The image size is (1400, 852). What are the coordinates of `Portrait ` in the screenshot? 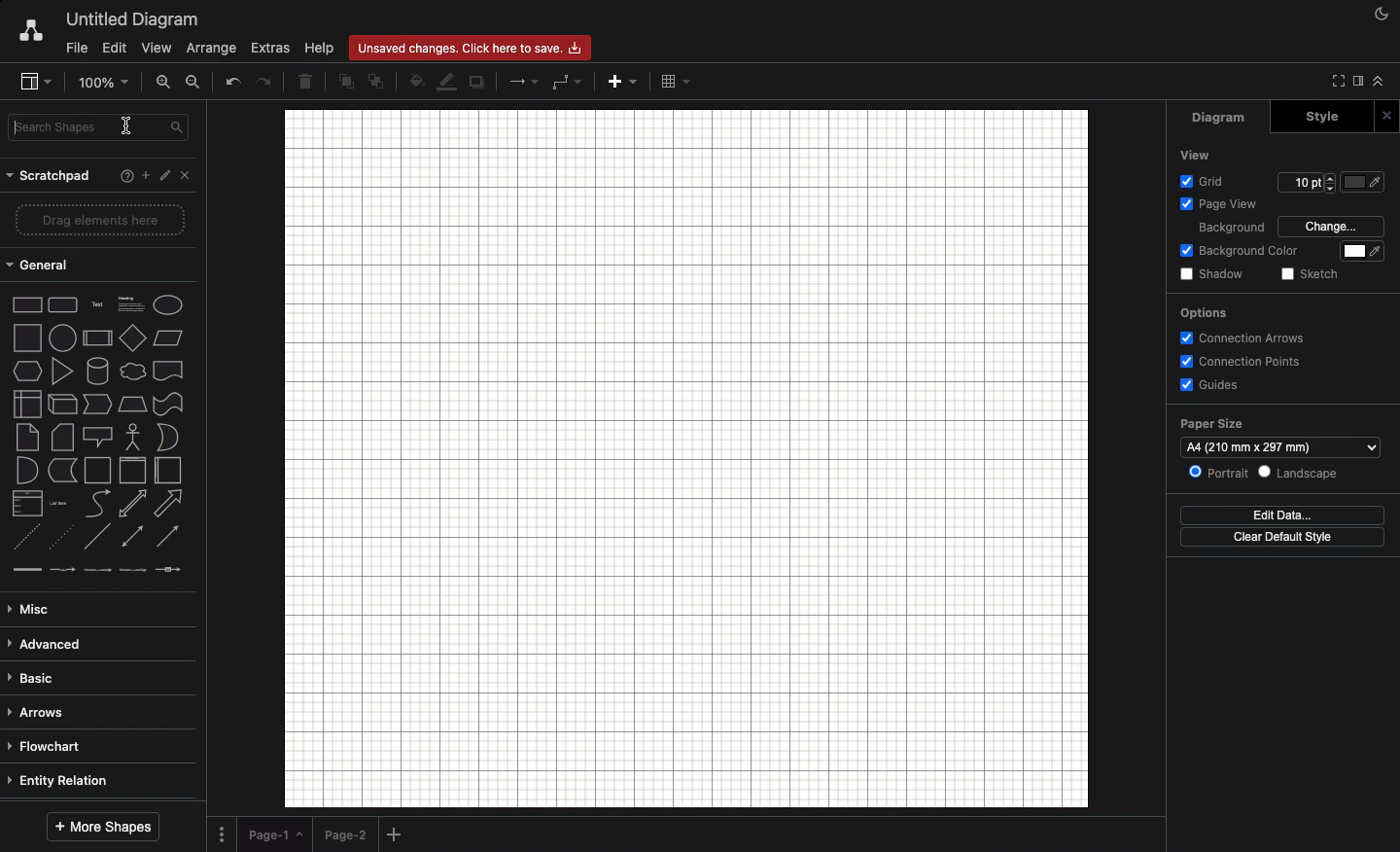 It's located at (1218, 473).